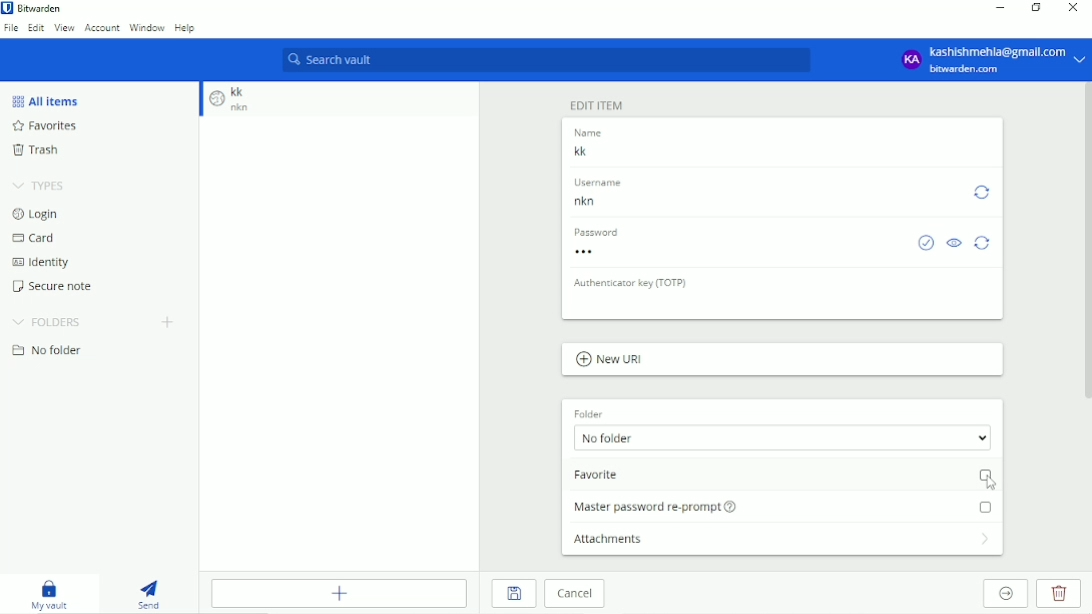  I want to click on Search vault, so click(544, 60).